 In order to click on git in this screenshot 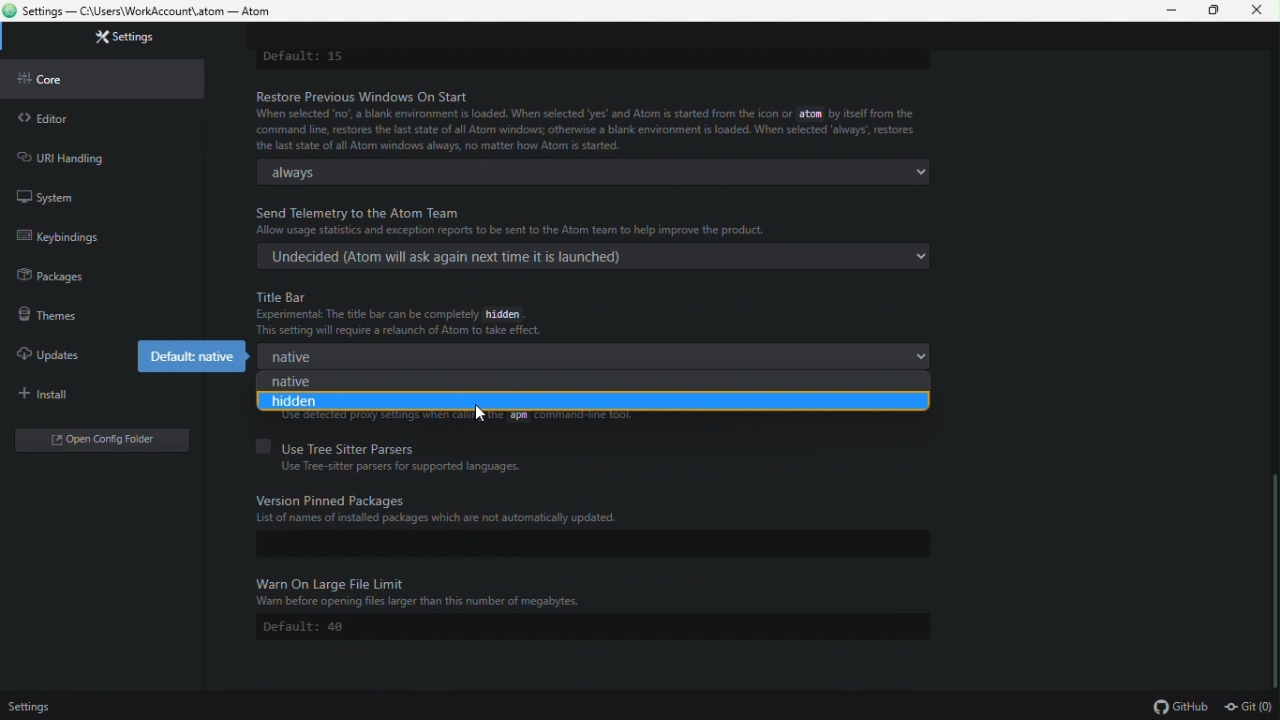, I will do `click(1250, 707)`.